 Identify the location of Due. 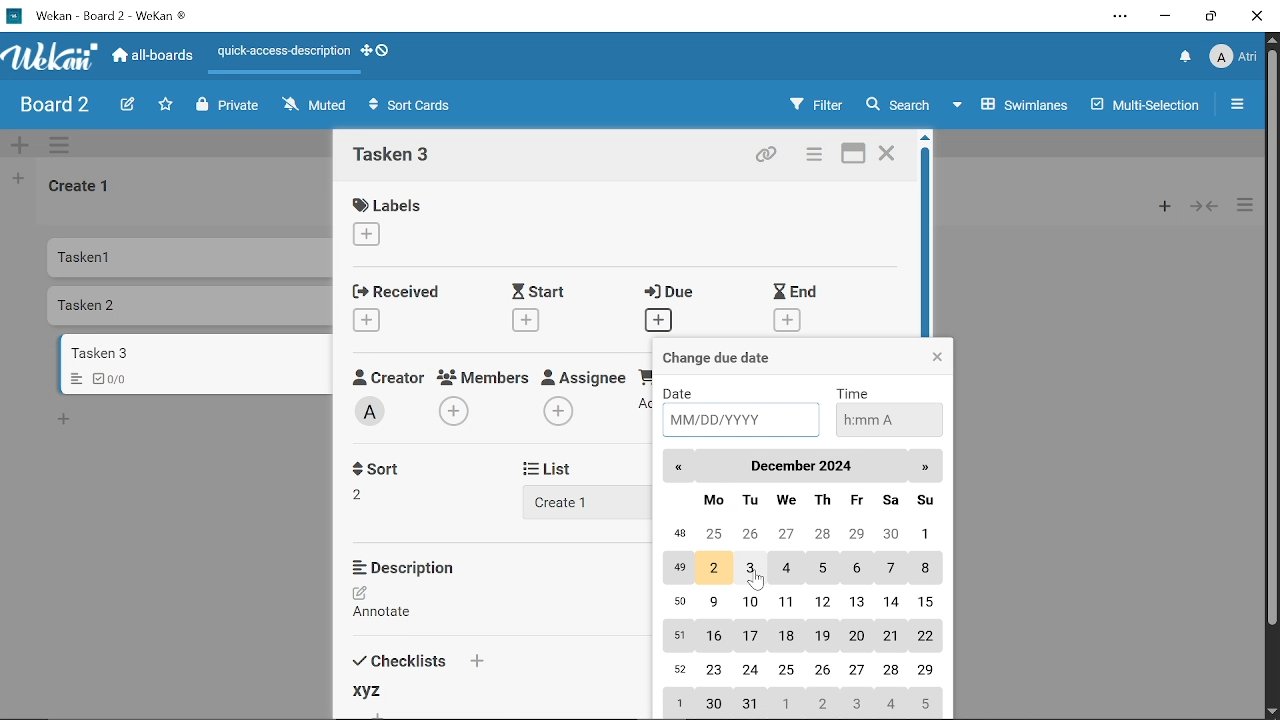
(675, 293).